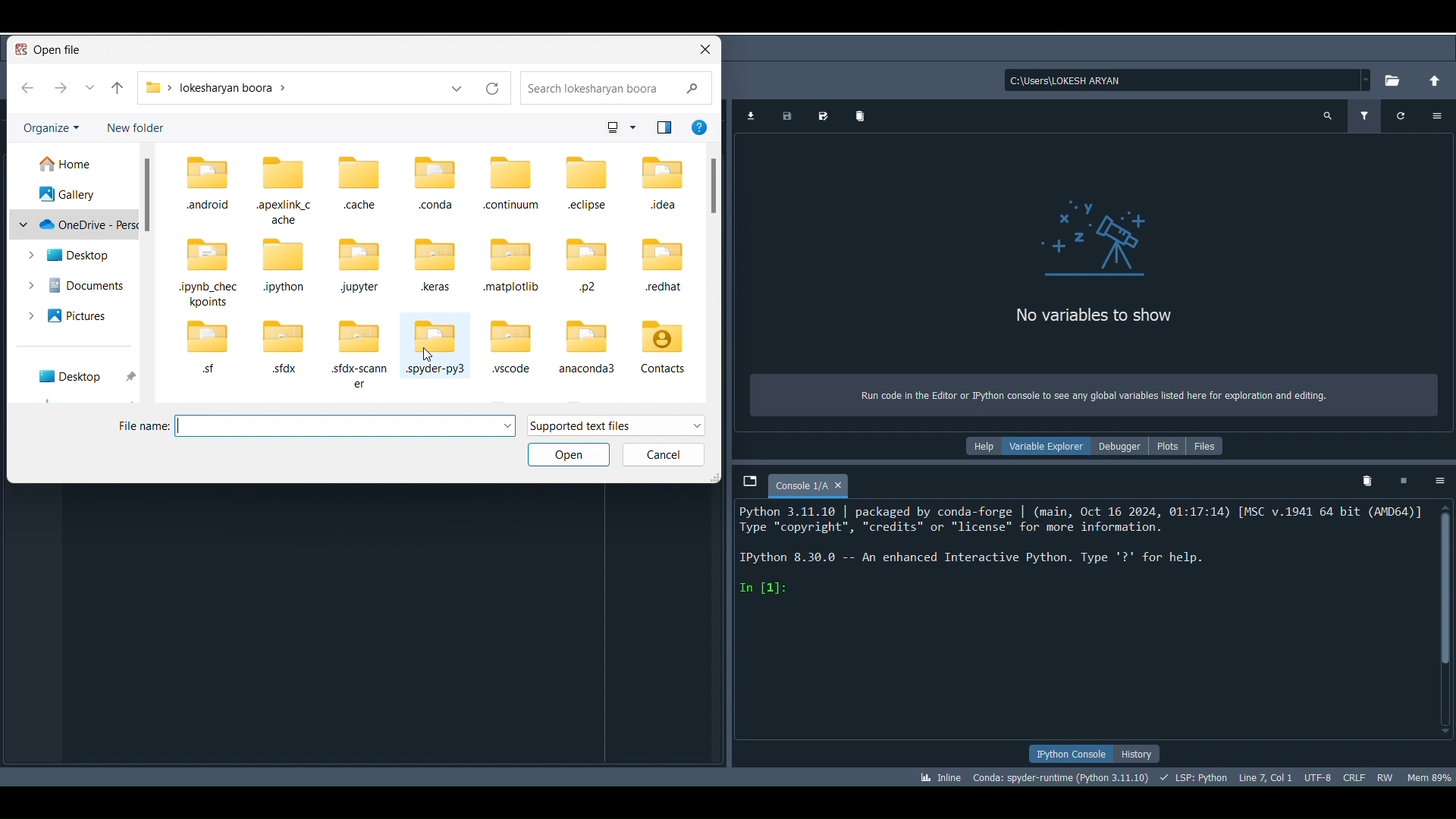 The width and height of the screenshot is (1456, 819). I want to click on Folder, so click(360, 352).